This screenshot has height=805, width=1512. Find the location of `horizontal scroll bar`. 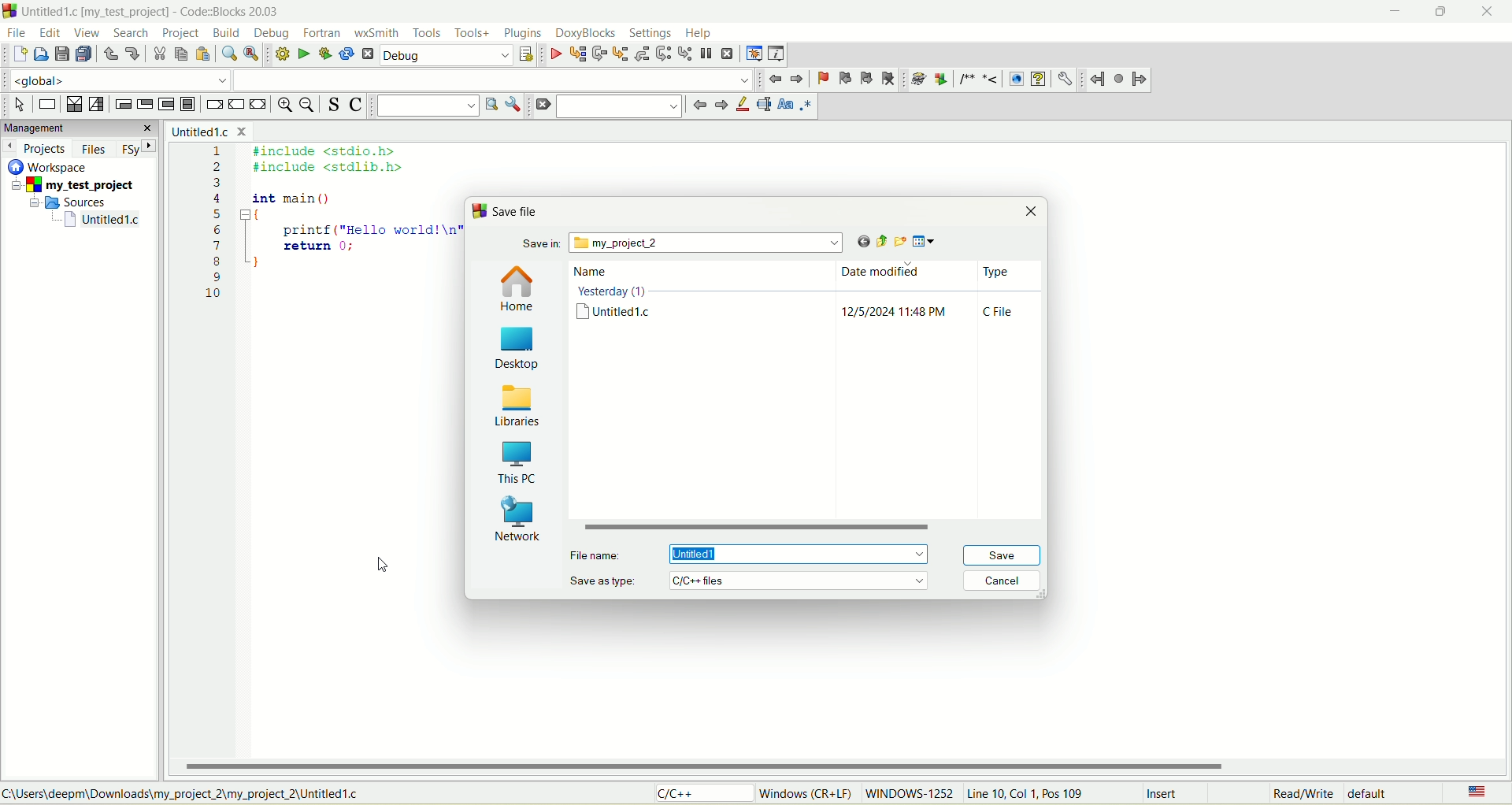

horizontal scroll bar is located at coordinates (842, 766).